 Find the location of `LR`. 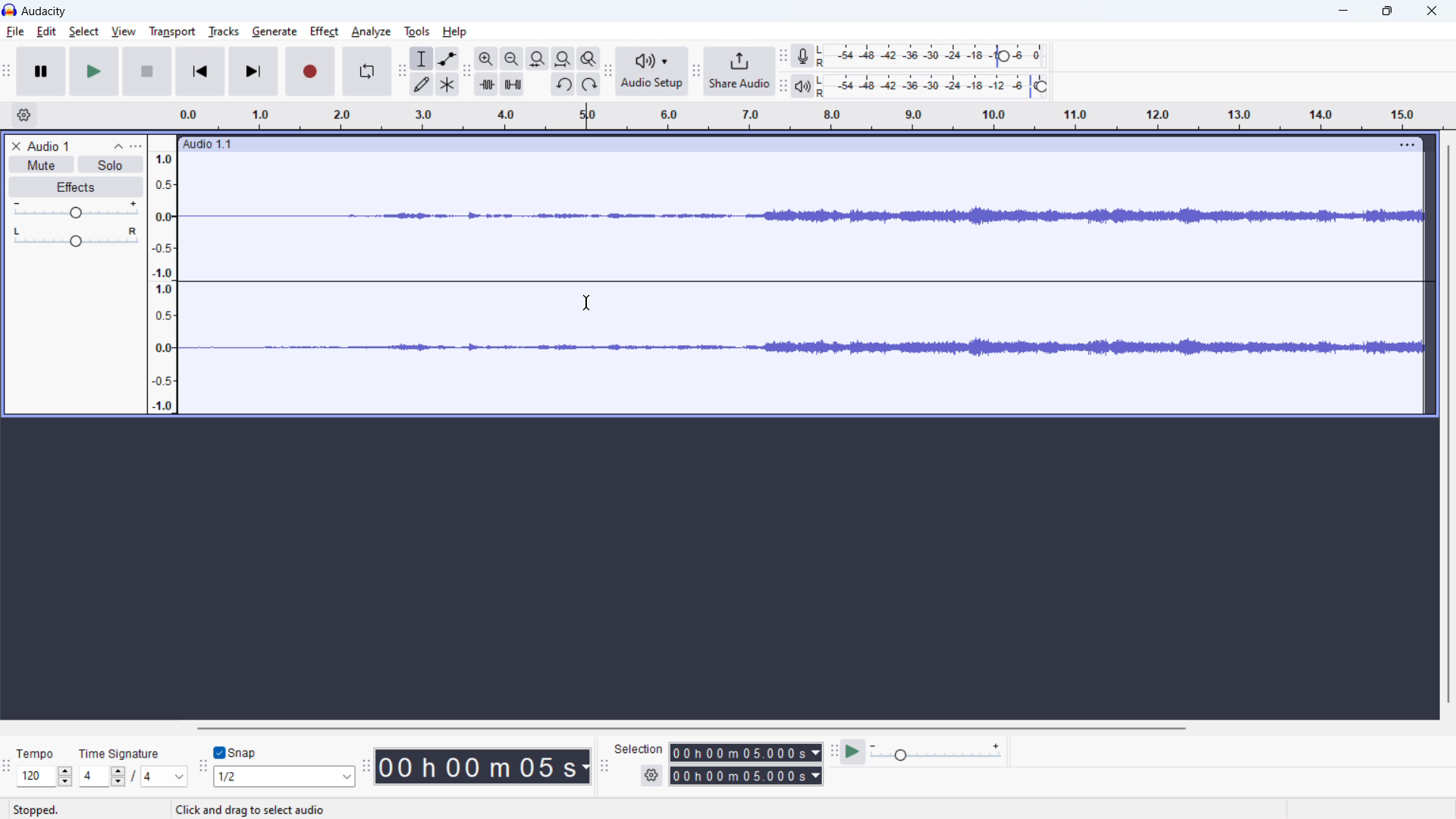

LR is located at coordinates (823, 48).